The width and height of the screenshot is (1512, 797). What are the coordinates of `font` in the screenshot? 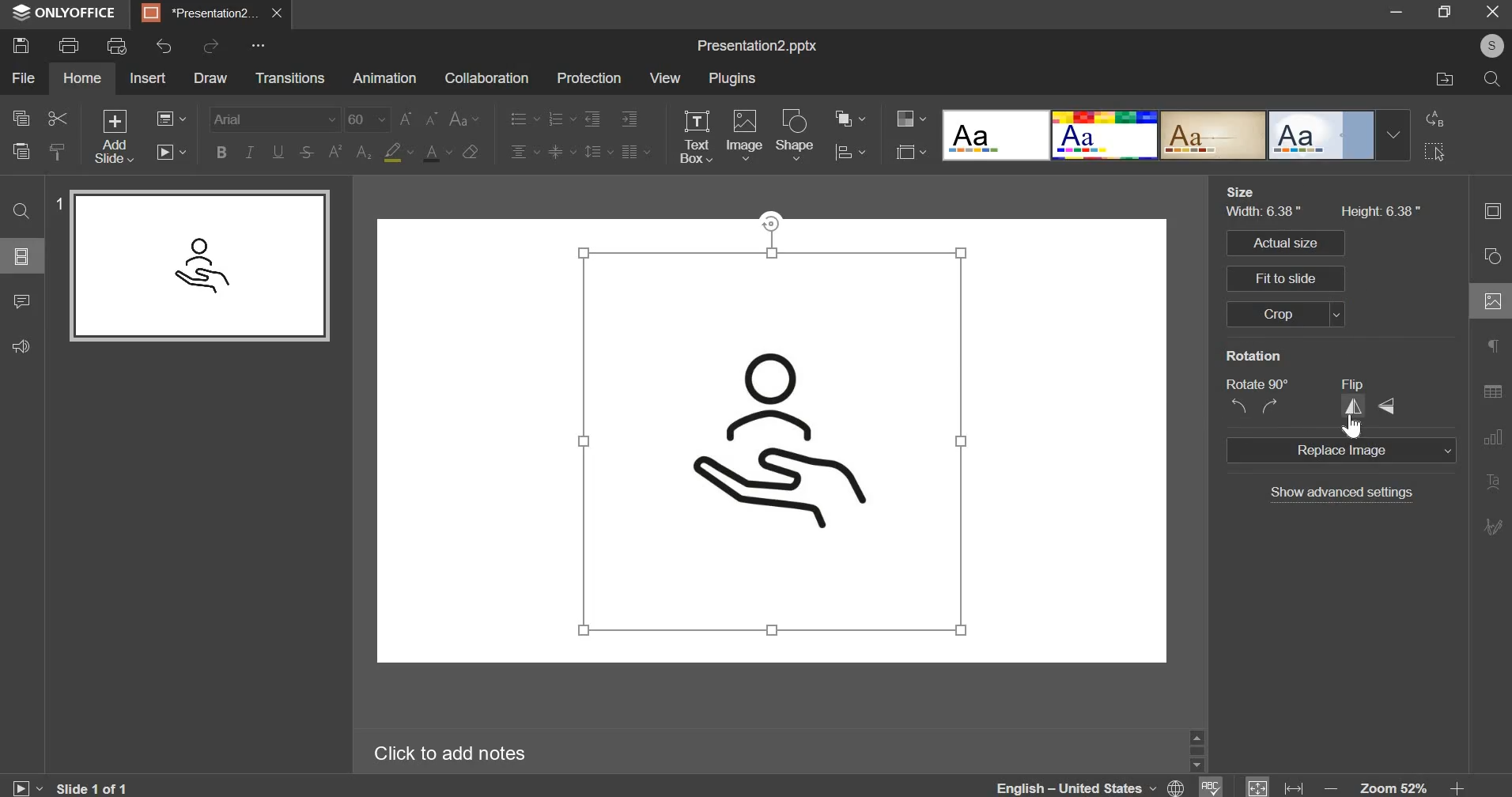 It's located at (274, 119).